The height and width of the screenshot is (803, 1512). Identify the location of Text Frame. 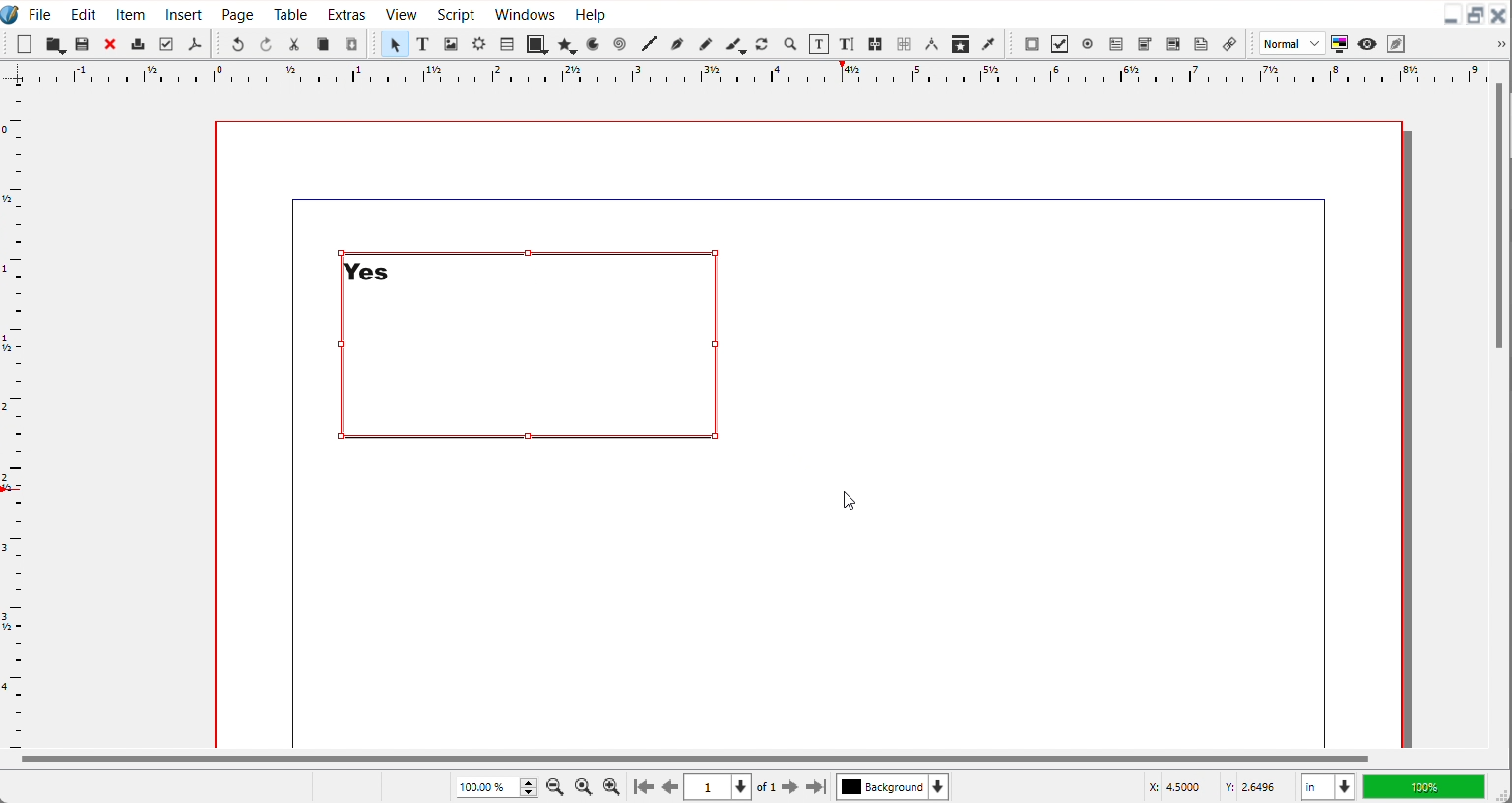
(423, 43).